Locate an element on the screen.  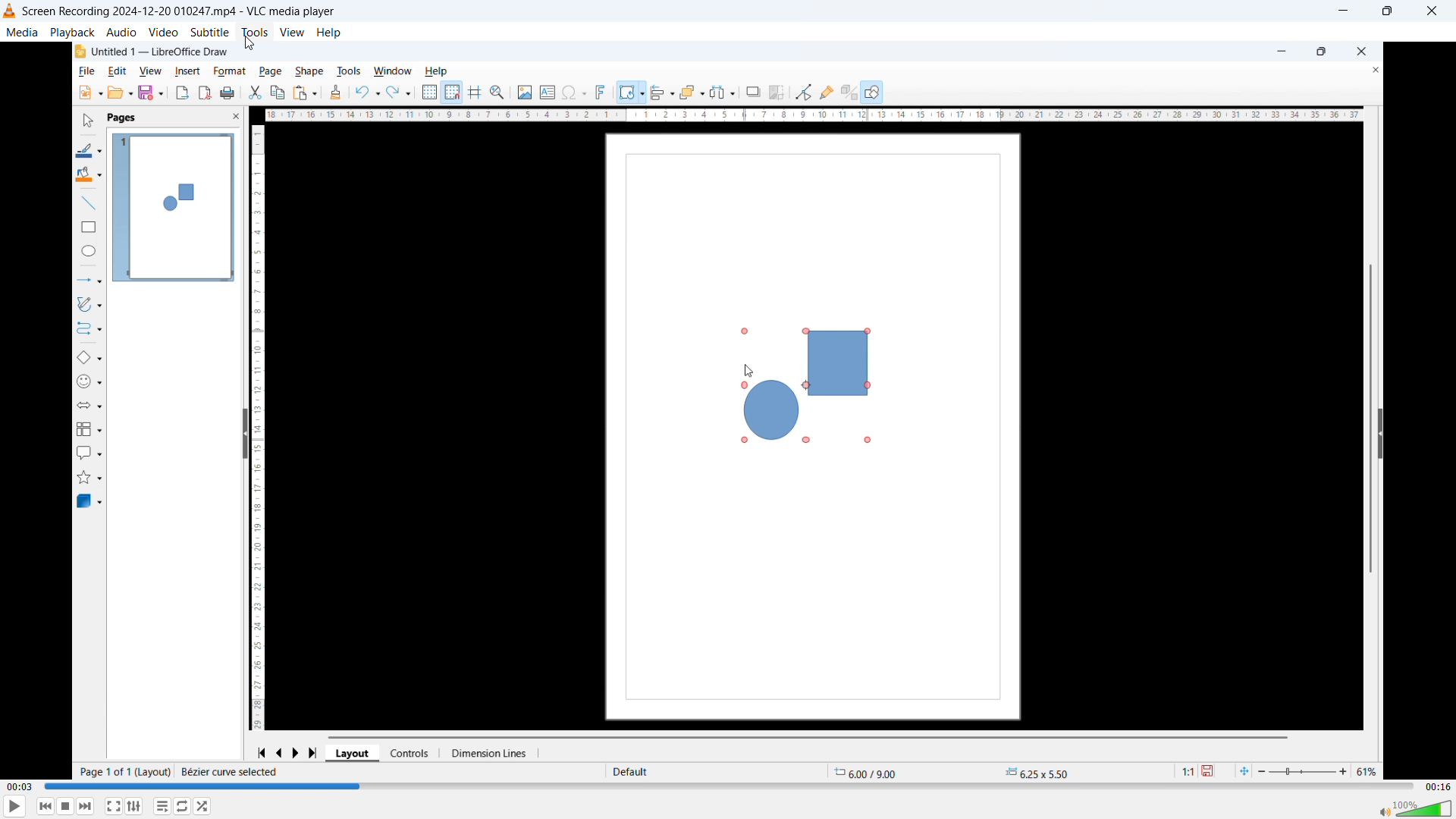
help is located at coordinates (328, 33).